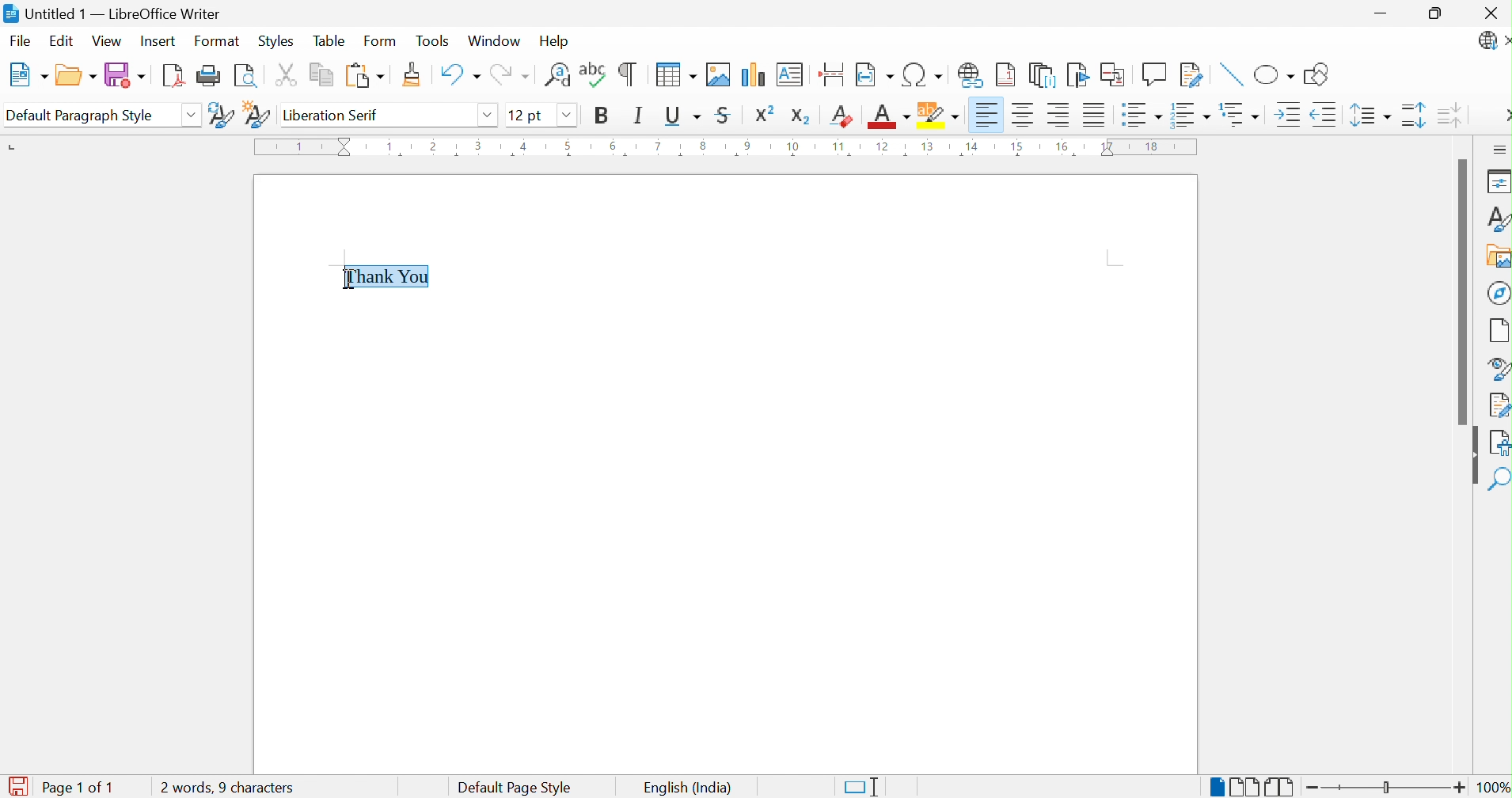  What do you see at coordinates (1272, 72) in the screenshot?
I see `Basic Shapes` at bounding box center [1272, 72].